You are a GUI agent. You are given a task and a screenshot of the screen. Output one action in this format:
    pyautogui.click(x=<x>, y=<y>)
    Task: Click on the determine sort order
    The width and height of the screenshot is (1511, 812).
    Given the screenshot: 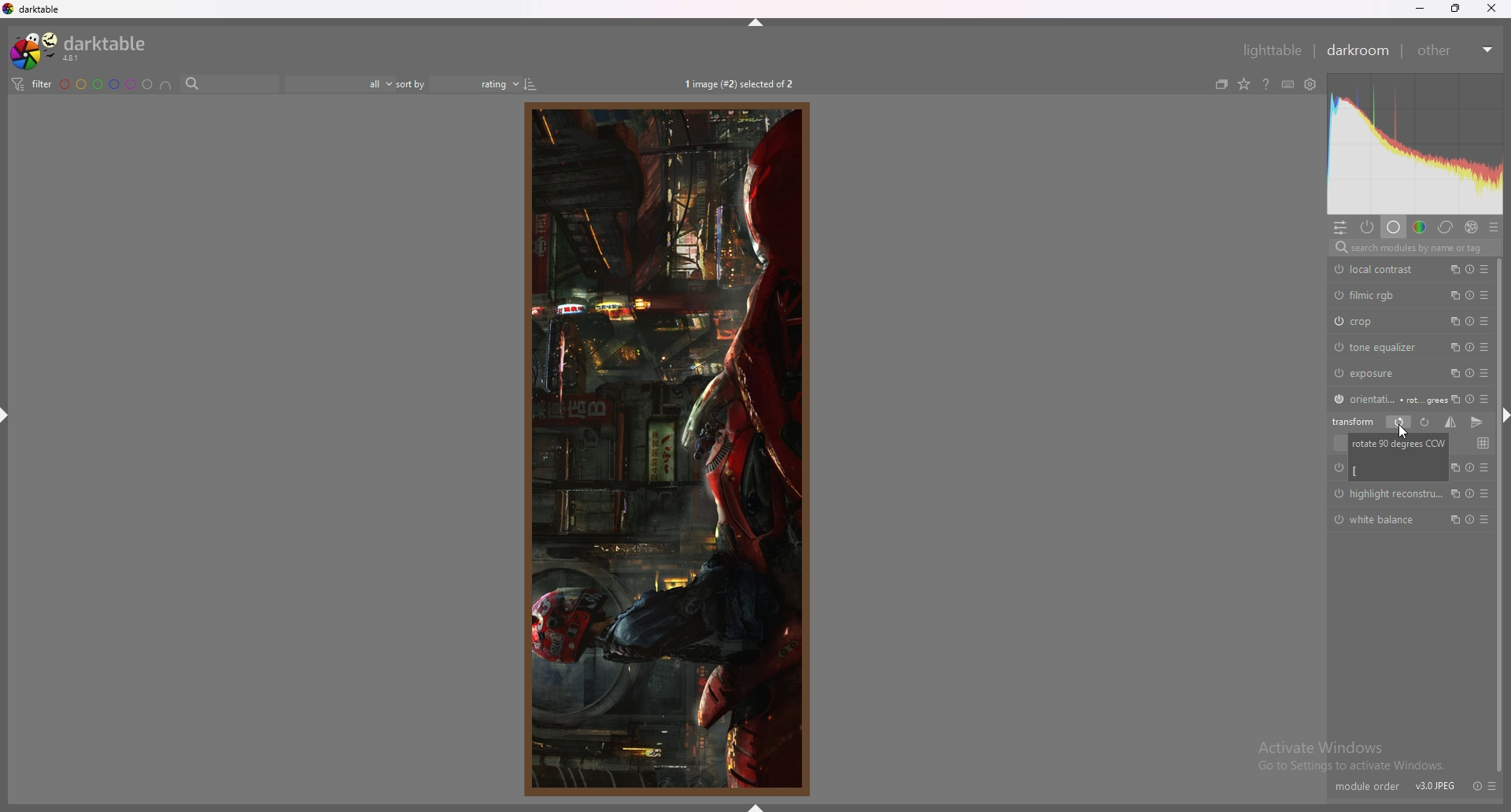 What is the action you would take?
    pyautogui.click(x=459, y=84)
    